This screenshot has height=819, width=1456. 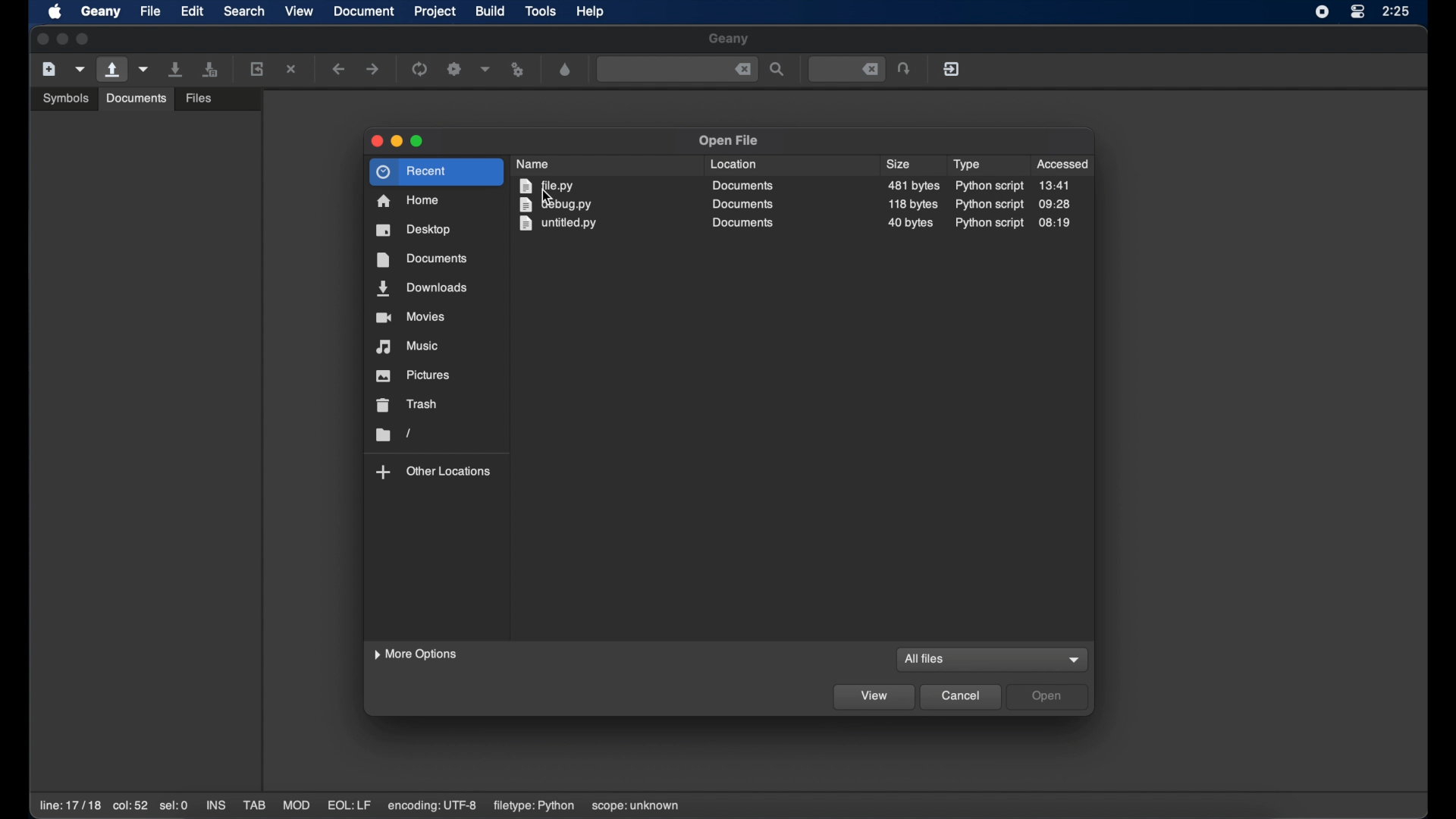 I want to click on 09:28, so click(x=1055, y=204).